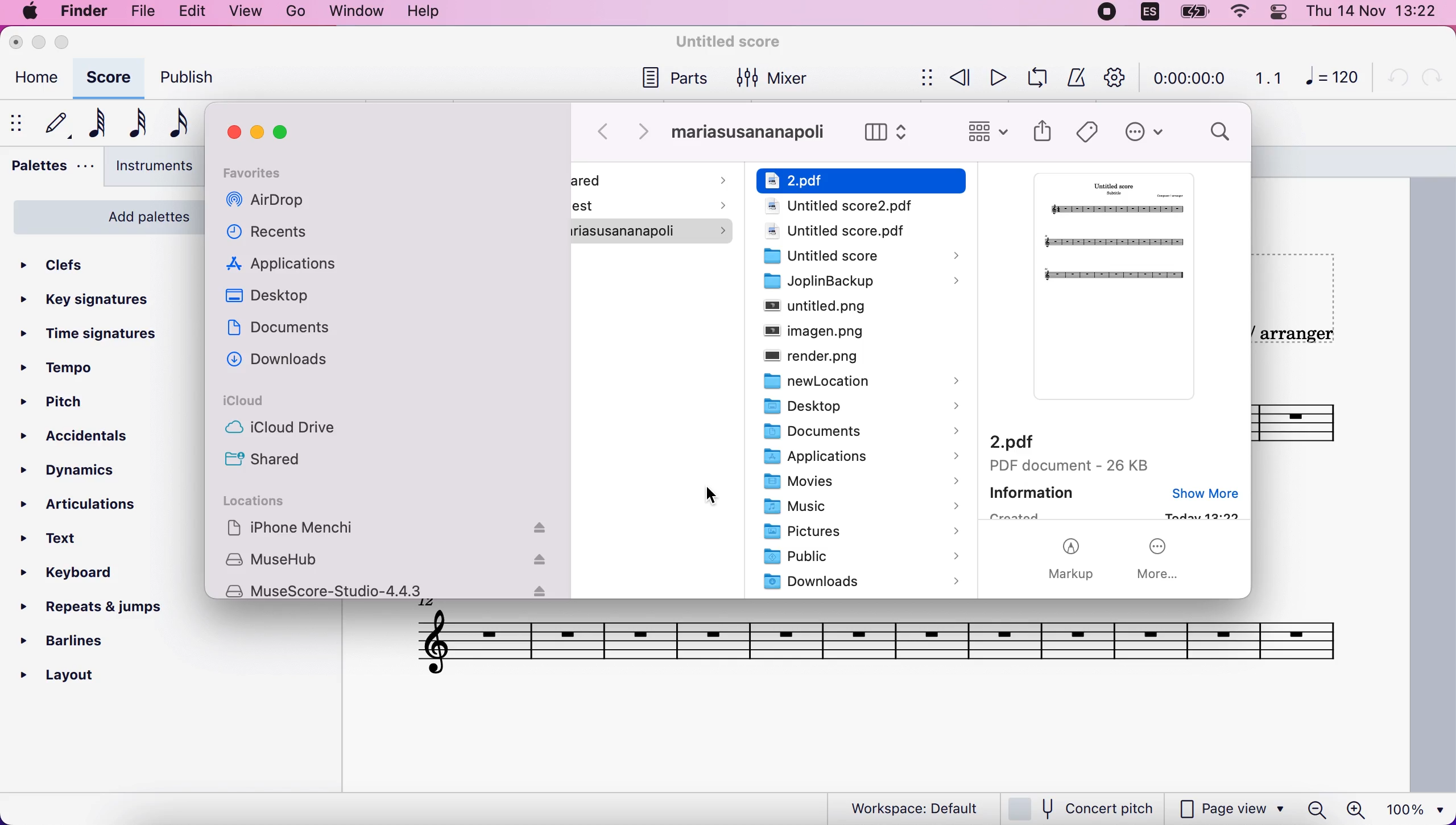 This screenshot has width=1456, height=825. Describe the element at coordinates (1145, 133) in the screenshot. I see `options` at that location.